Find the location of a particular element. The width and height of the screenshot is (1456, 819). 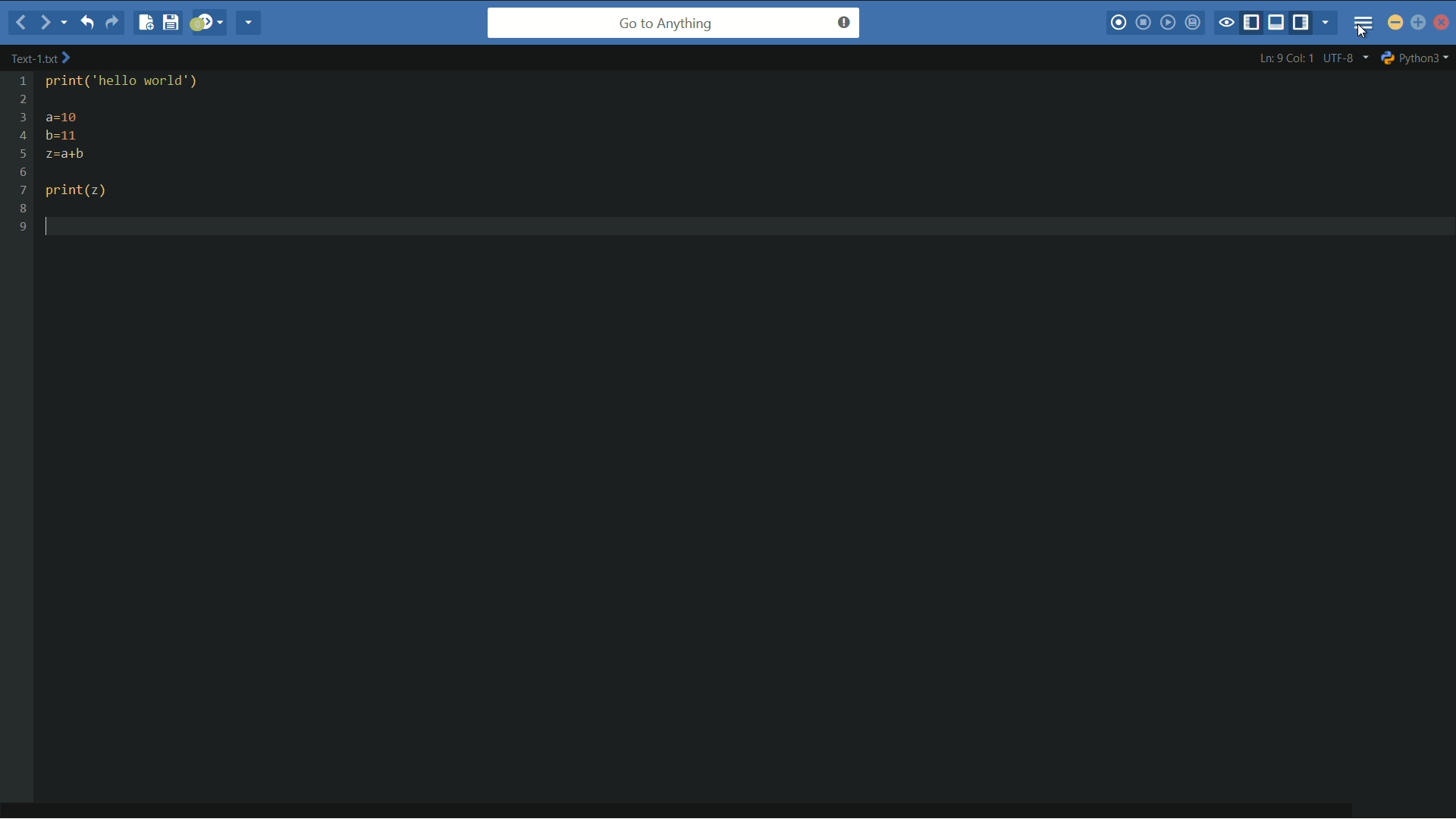

horizontal scroll bar is located at coordinates (687, 803).